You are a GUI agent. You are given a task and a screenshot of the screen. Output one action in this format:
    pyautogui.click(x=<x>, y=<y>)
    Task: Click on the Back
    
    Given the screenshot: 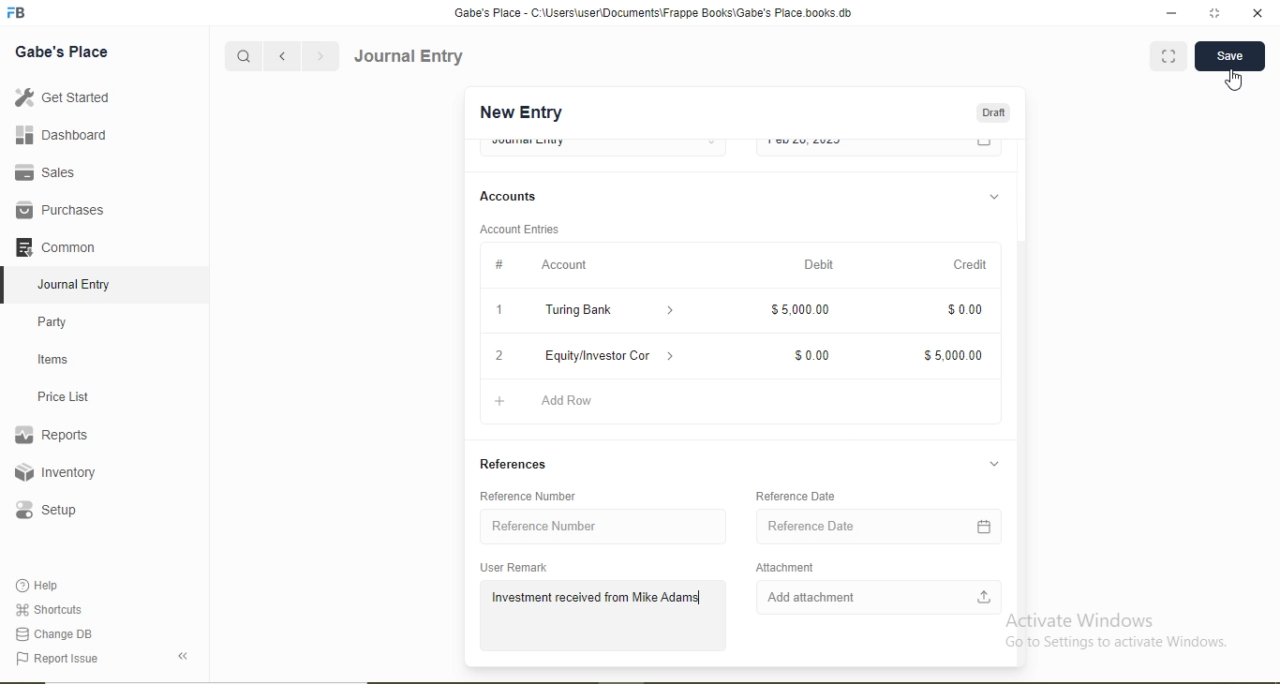 What is the action you would take?
    pyautogui.click(x=182, y=656)
    